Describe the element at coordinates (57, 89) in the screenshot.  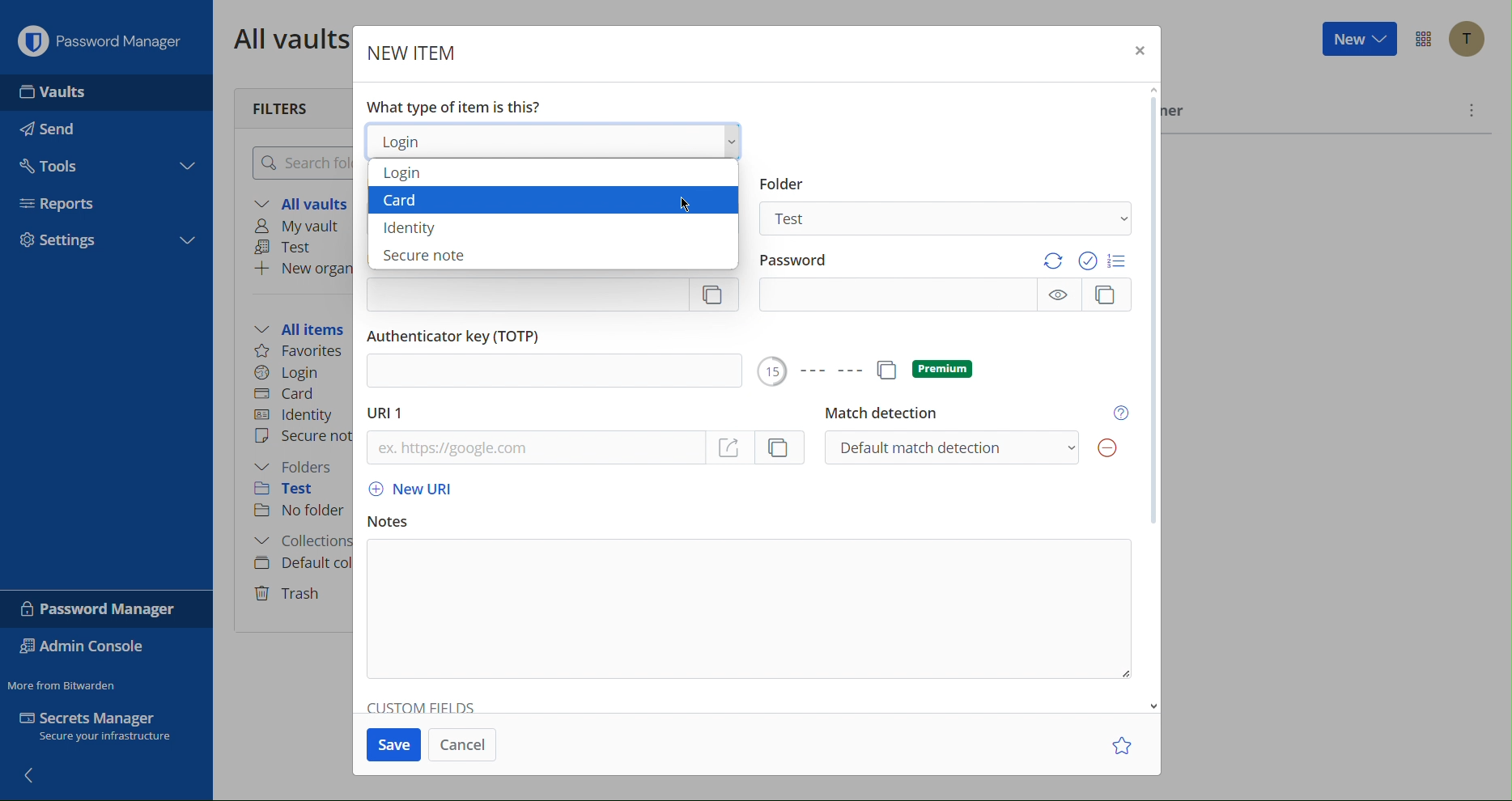
I see `Vaults` at that location.